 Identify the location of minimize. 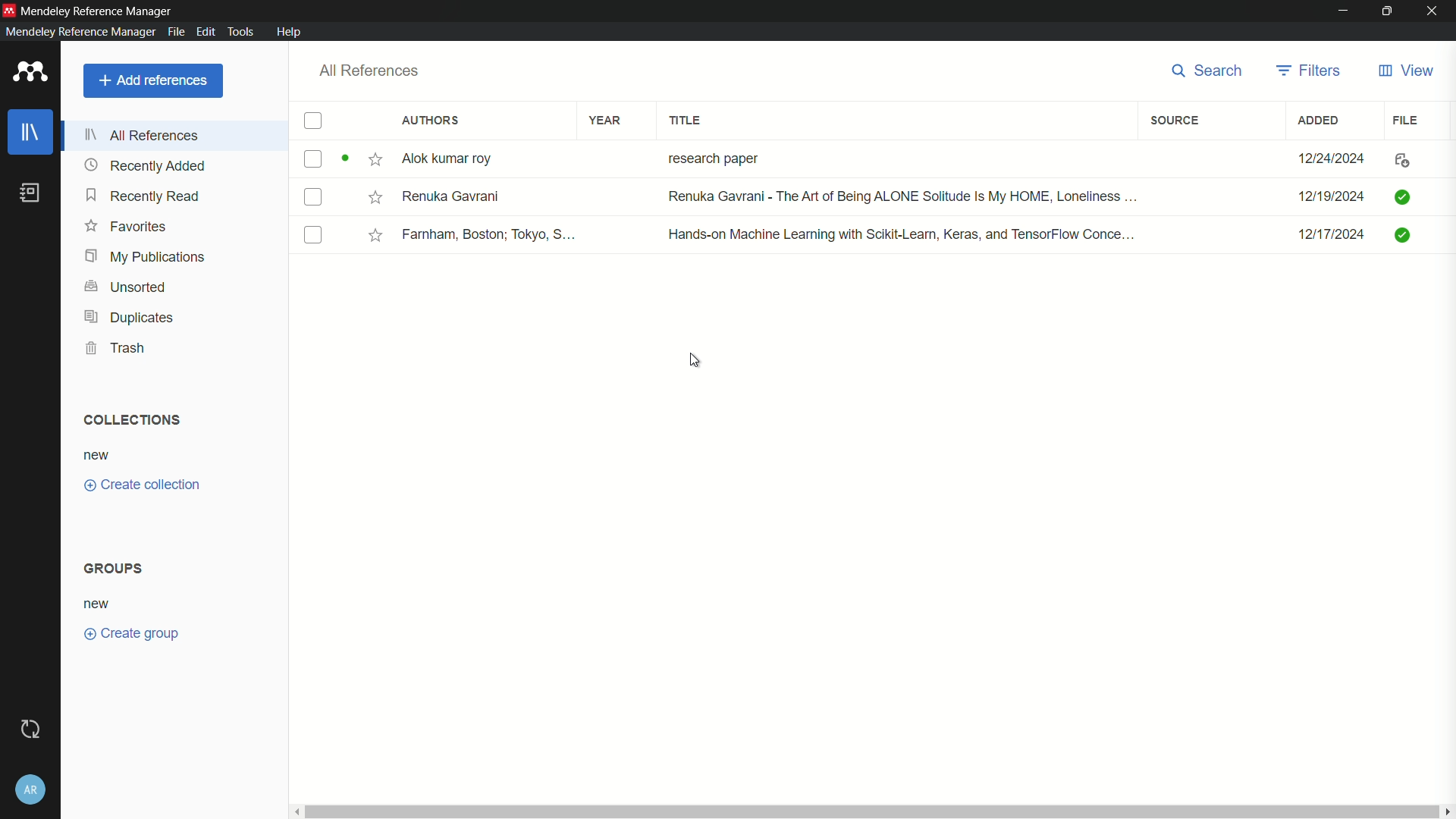
(1341, 11).